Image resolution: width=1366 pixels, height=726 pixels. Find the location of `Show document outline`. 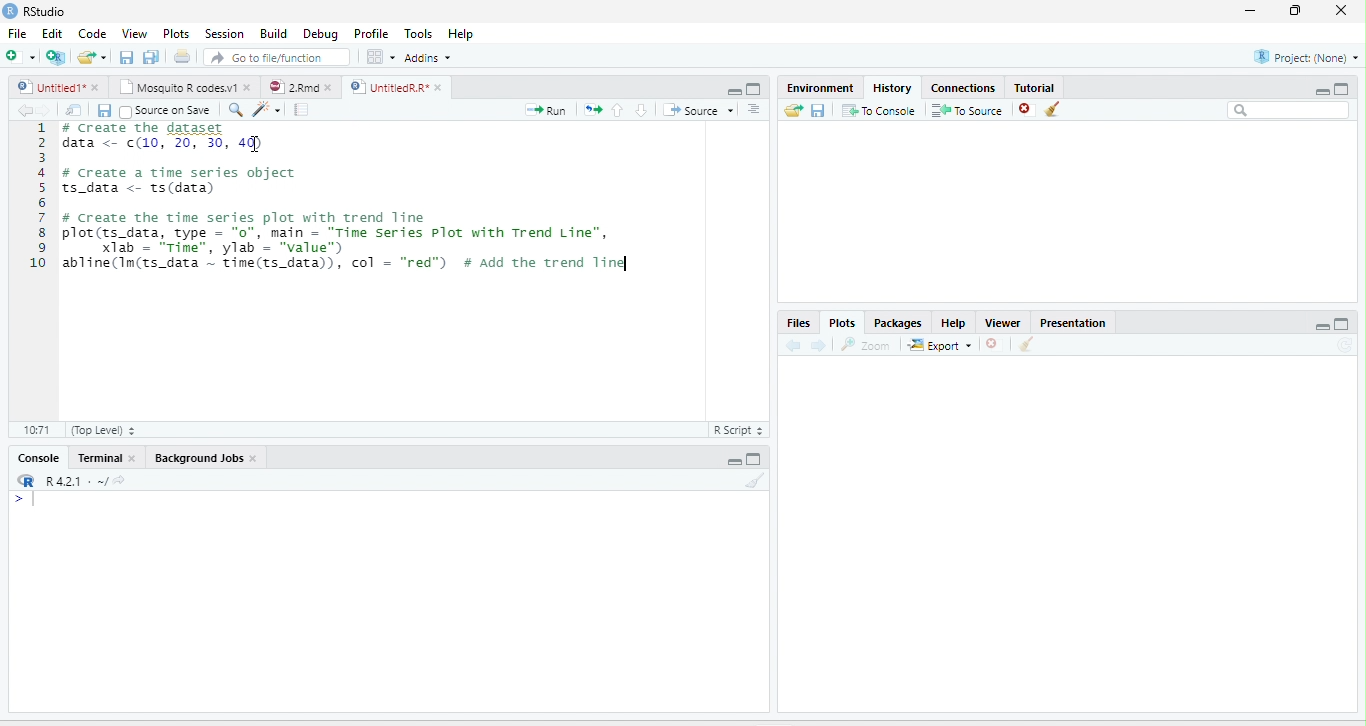

Show document outline is located at coordinates (754, 109).